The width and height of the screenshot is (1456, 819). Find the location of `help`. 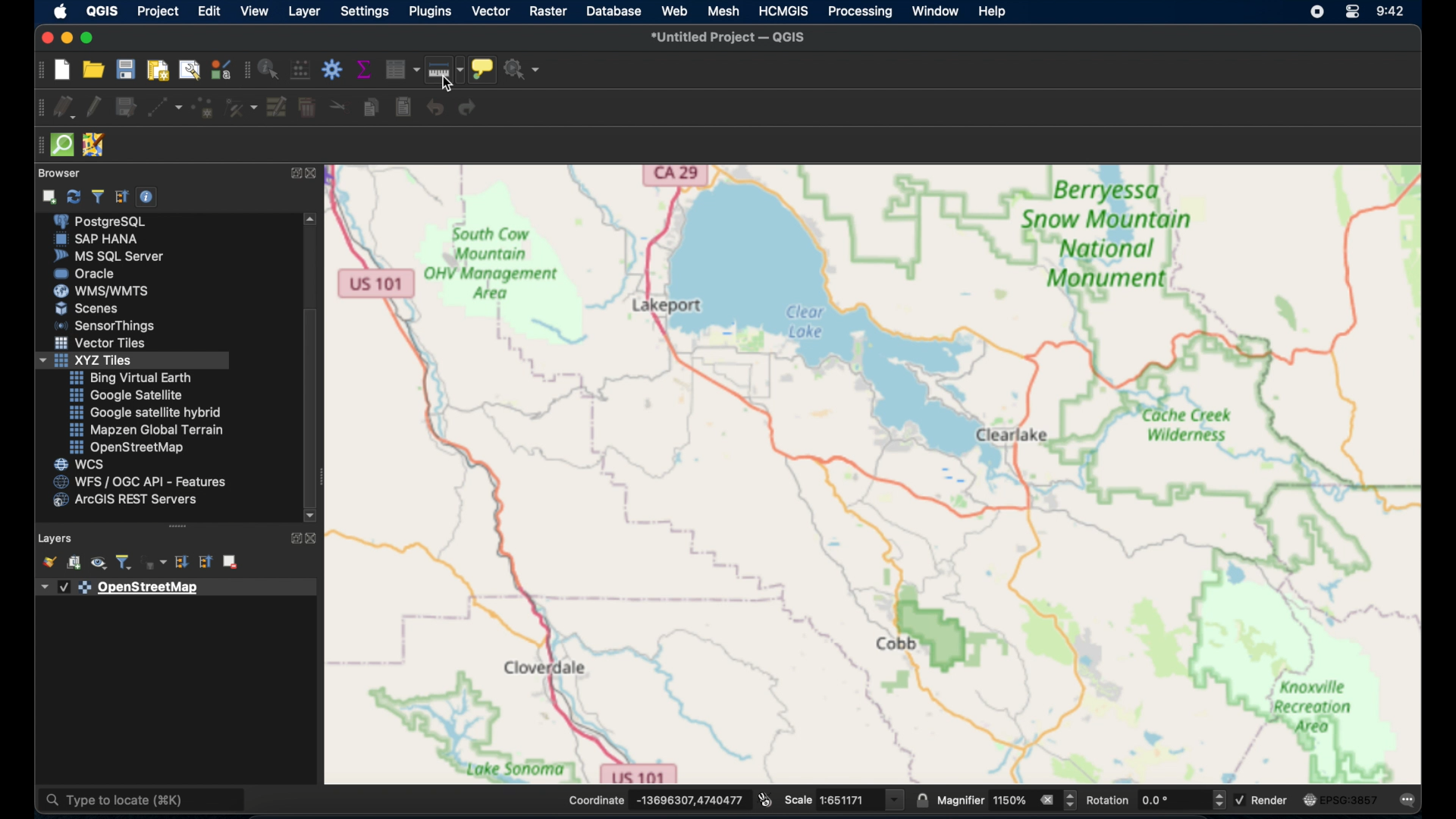

help is located at coordinates (993, 13).